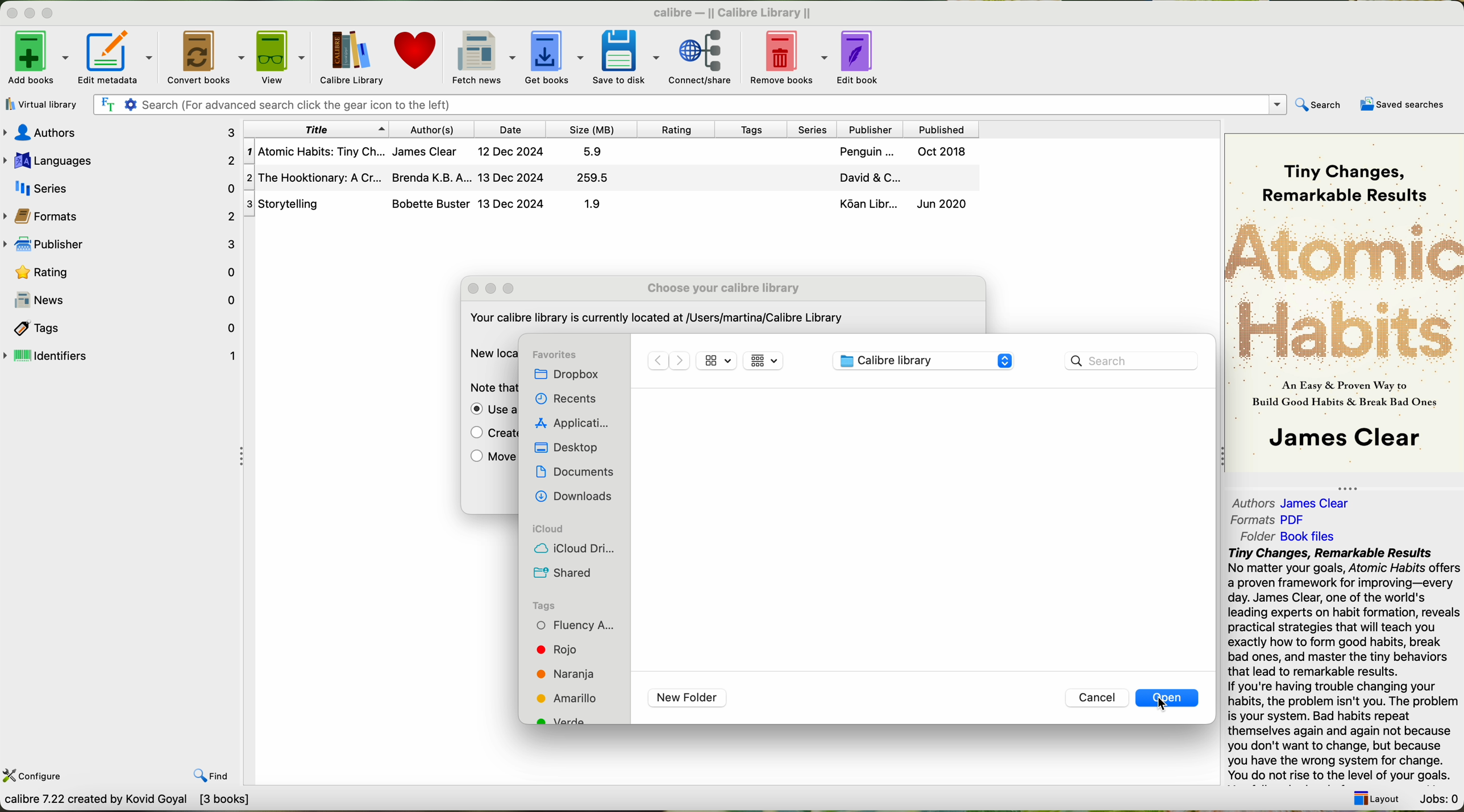 The height and width of the screenshot is (812, 1464). Describe the element at coordinates (43, 105) in the screenshot. I see `virtual library` at that location.